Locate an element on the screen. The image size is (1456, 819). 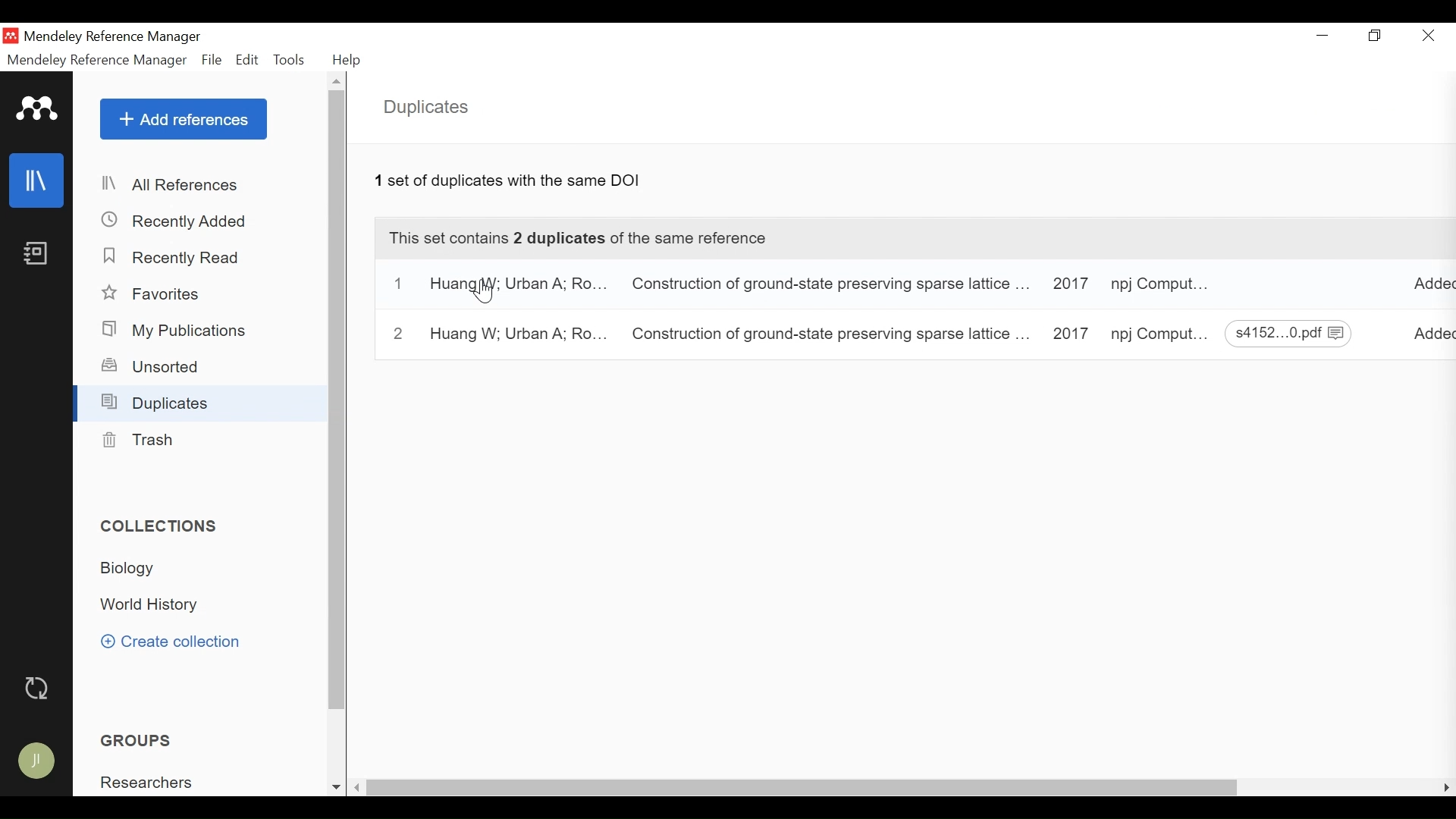
Mendeley Logo is located at coordinates (37, 109).